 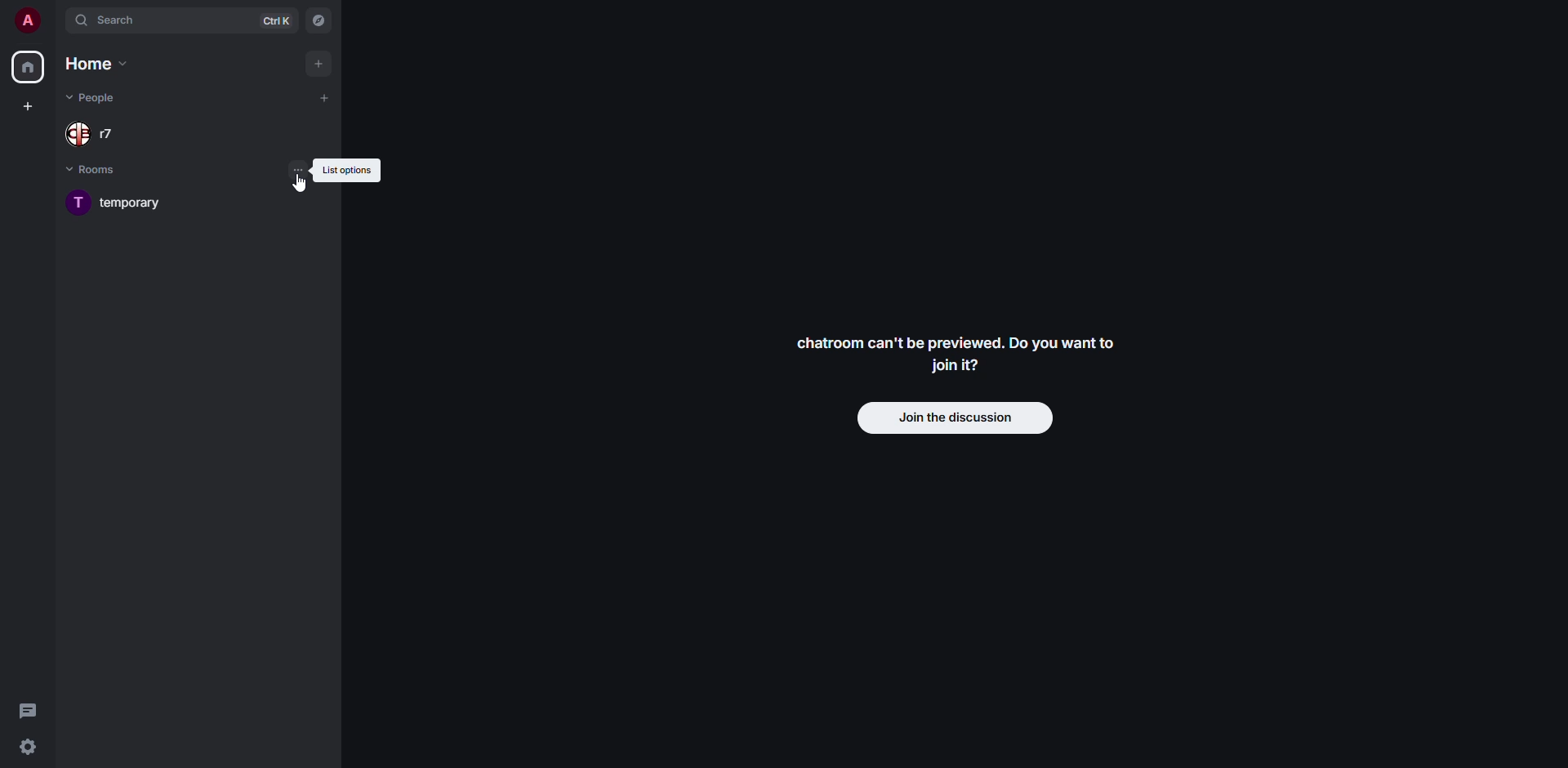 What do you see at coordinates (29, 68) in the screenshot?
I see `home` at bounding box center [29, 68].